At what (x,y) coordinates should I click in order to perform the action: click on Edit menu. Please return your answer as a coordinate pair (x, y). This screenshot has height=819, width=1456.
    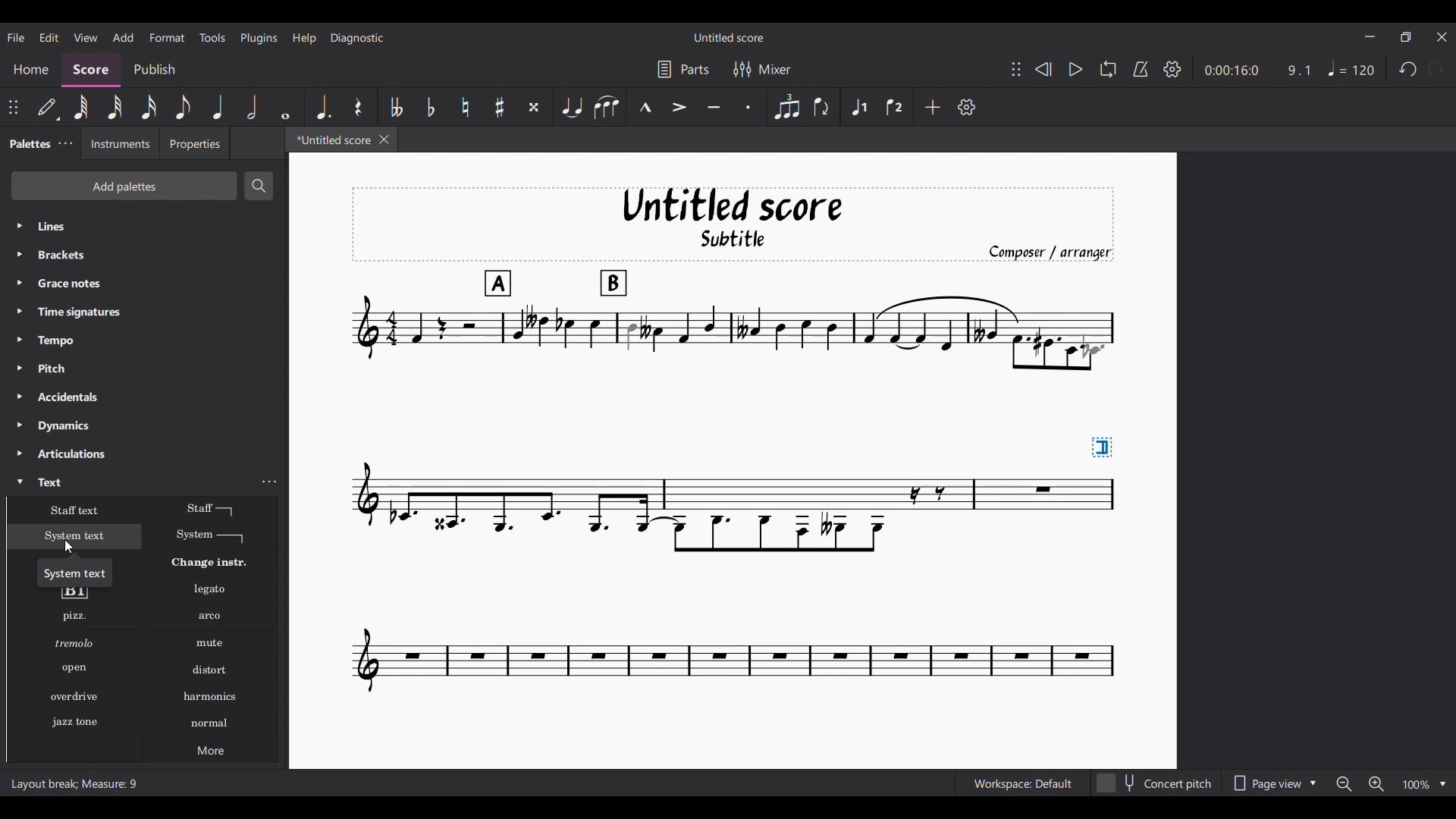
    Looking at the image, I should click on (49, 38).